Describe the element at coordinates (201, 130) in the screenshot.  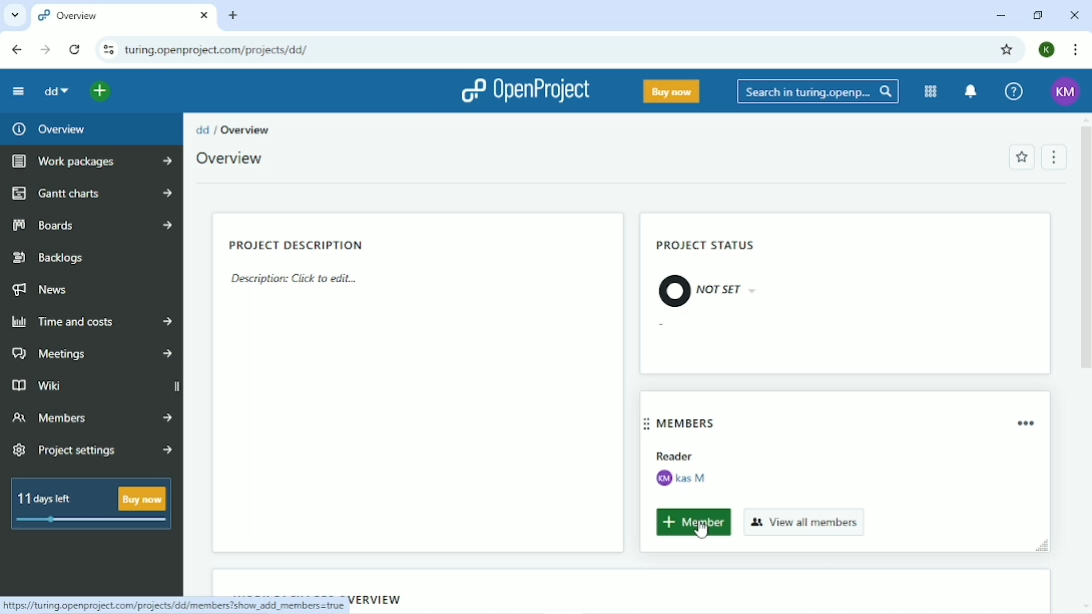
I see `dd` at that location.